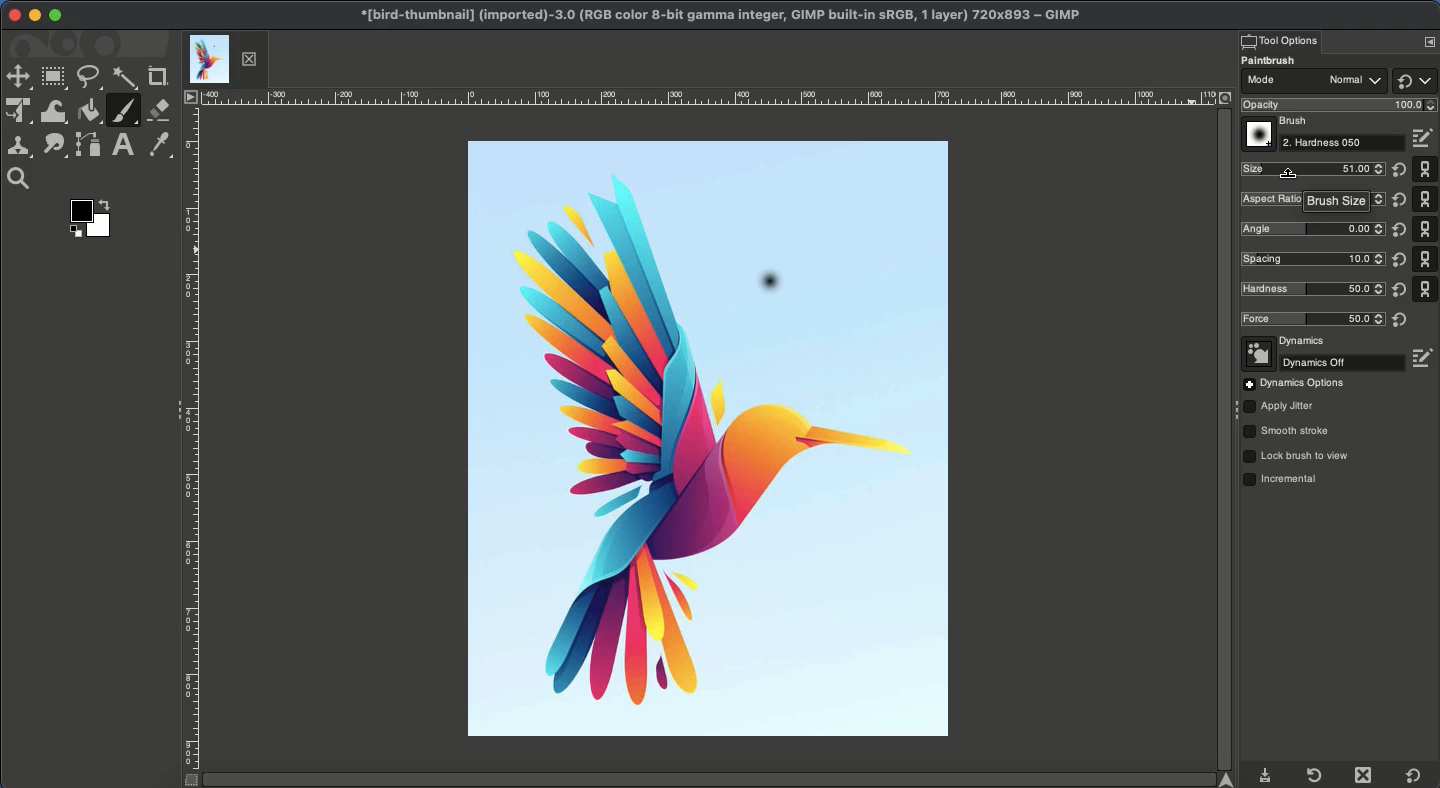 This screenshot has width=1440, height=788. What do you see at coordinates (160, 110) in the screenshot?
I see `Eraser` at bounding box center [160, 110].